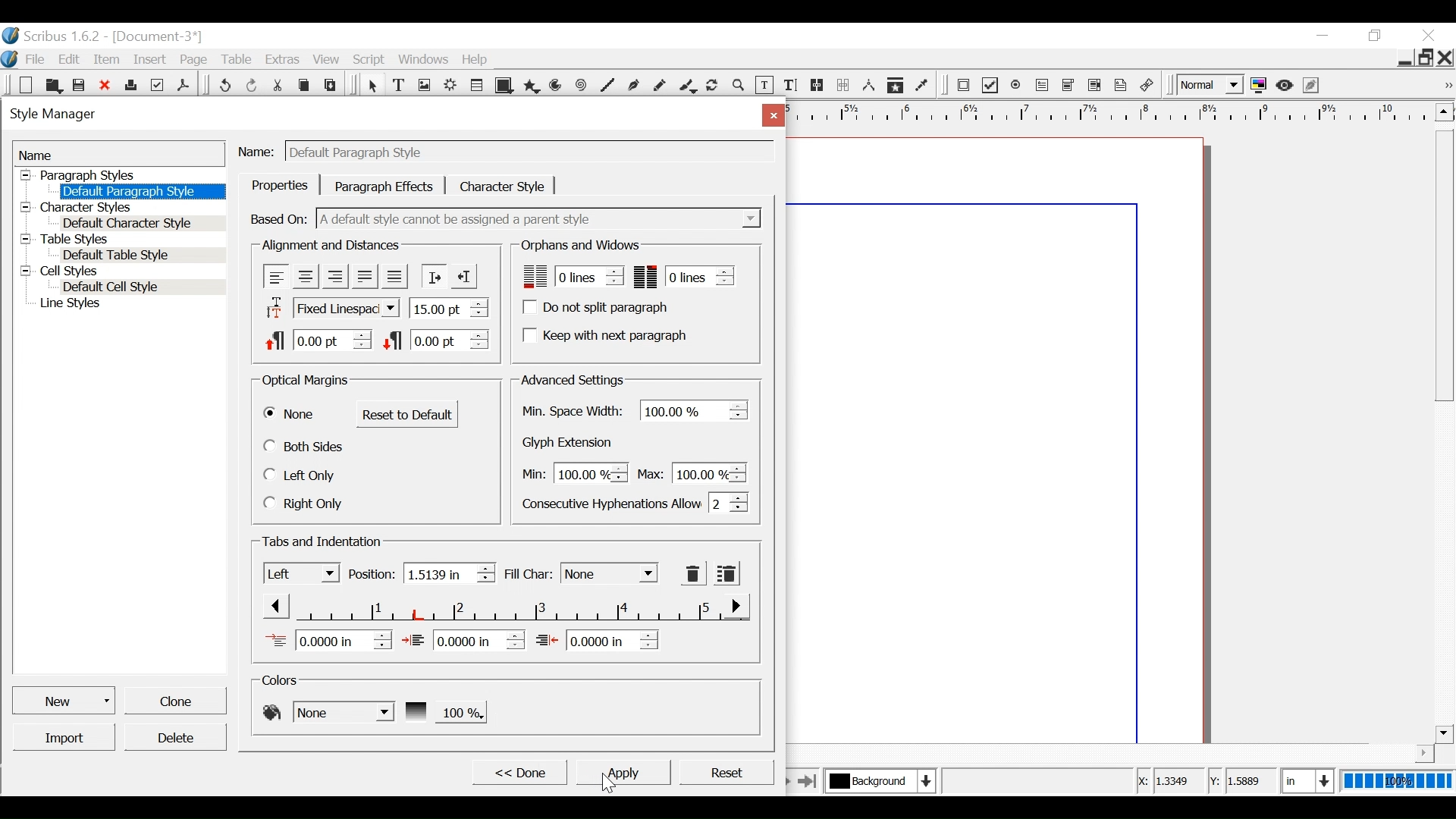 The width and height of the screenshot is (1456, 819). Describe the element at coordinates (10, 58) in the screenshot. I see `Logo` at that location.